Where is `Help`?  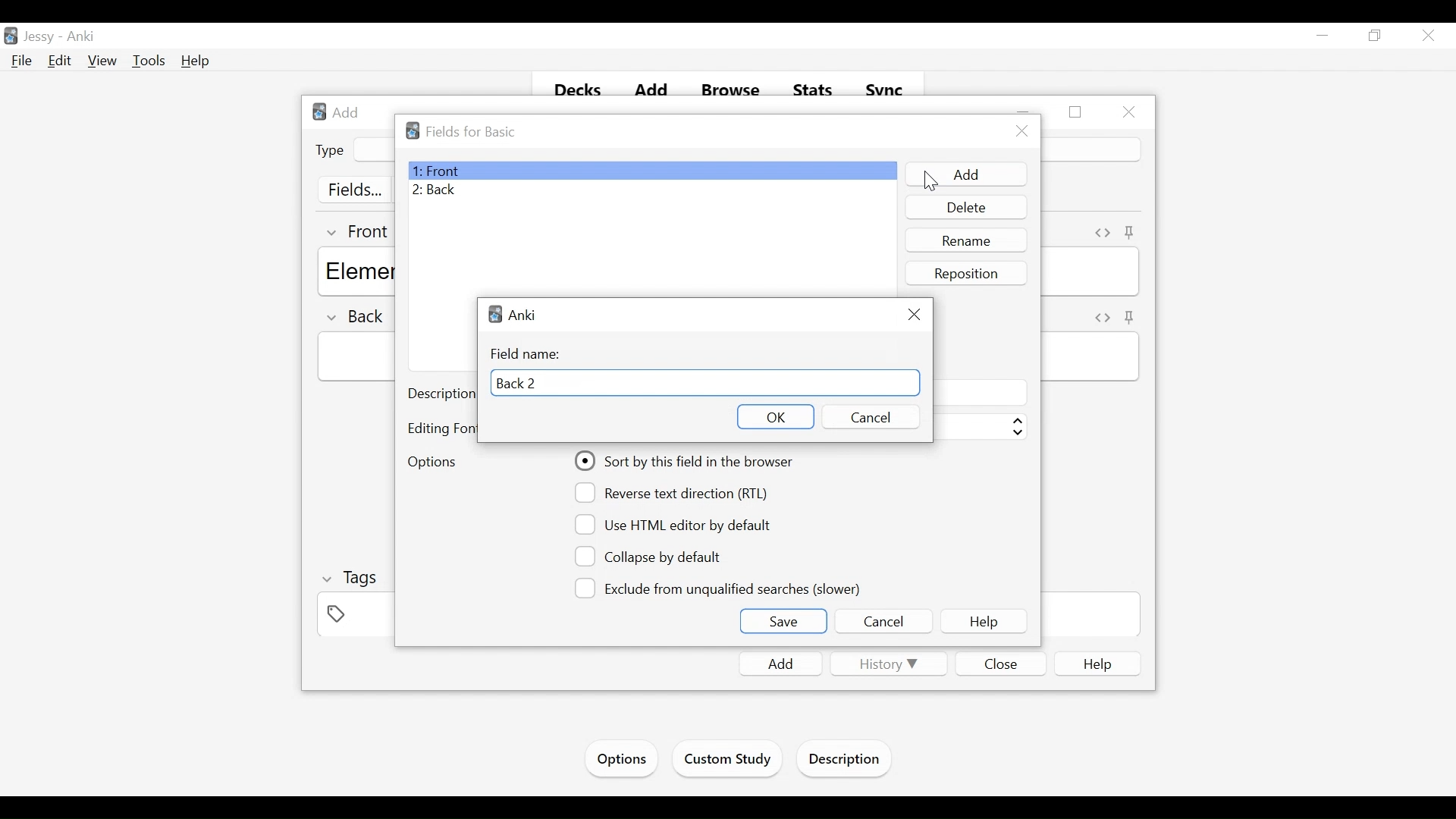 Help is located at coordinates (196, 61).